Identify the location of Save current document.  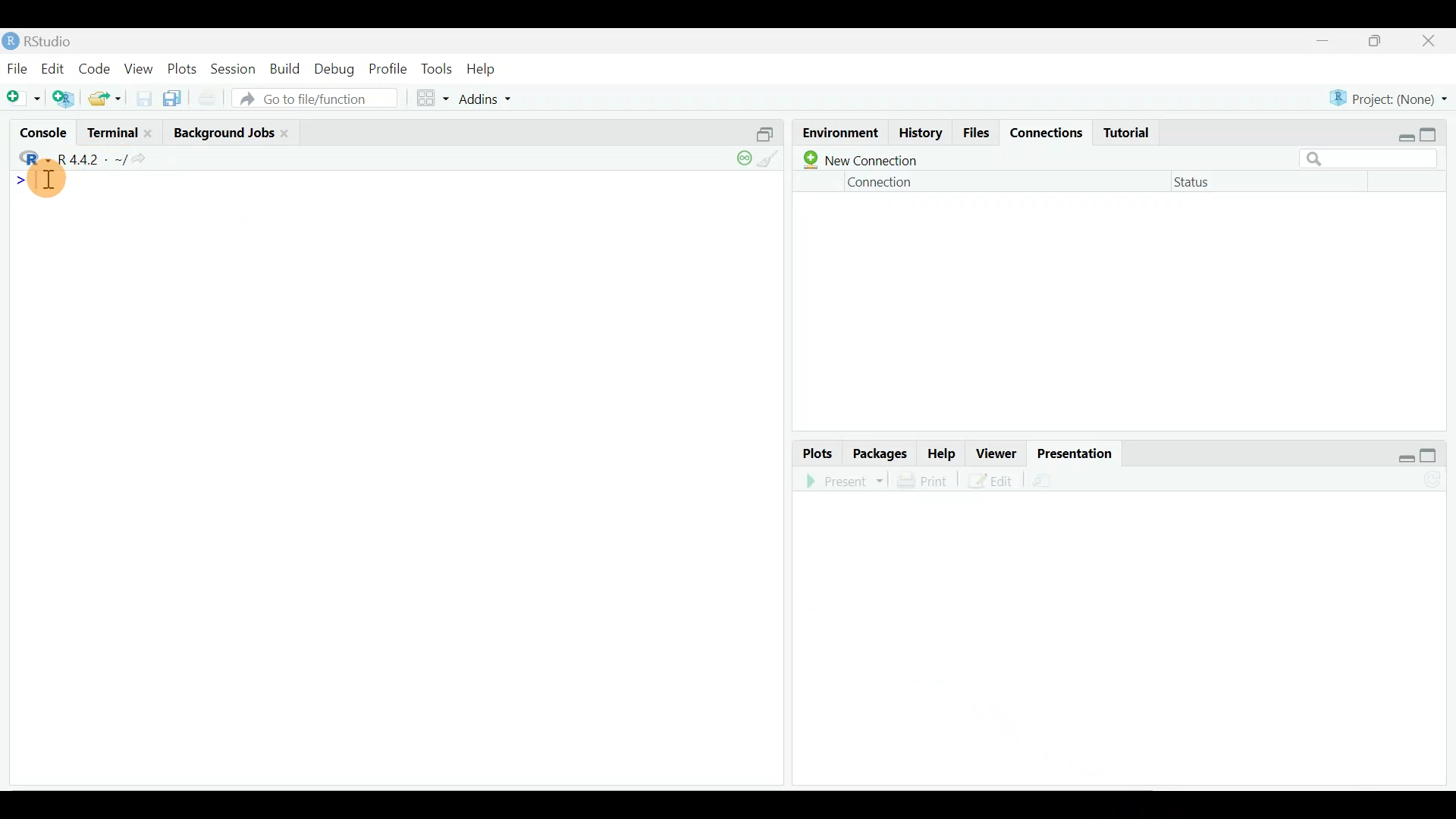
(146, 98).